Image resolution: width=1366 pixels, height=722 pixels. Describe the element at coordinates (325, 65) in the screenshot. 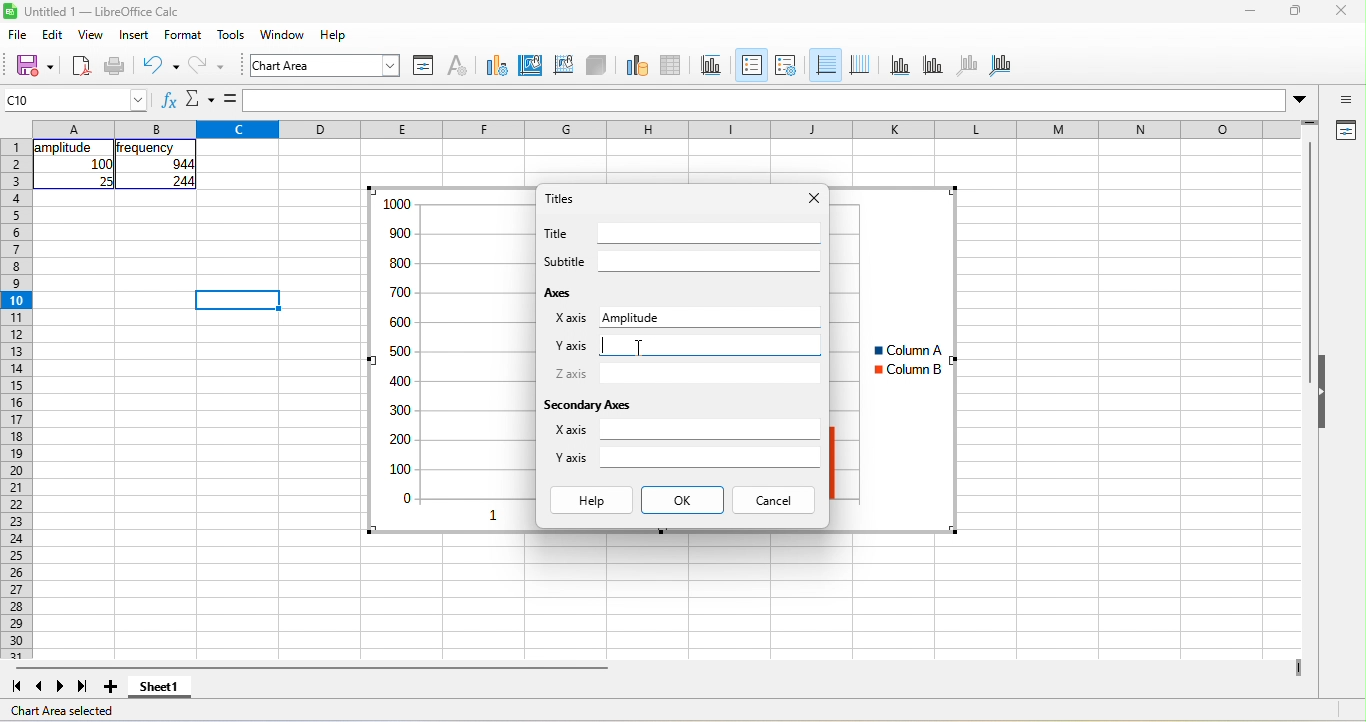

I see `font name` at that location.